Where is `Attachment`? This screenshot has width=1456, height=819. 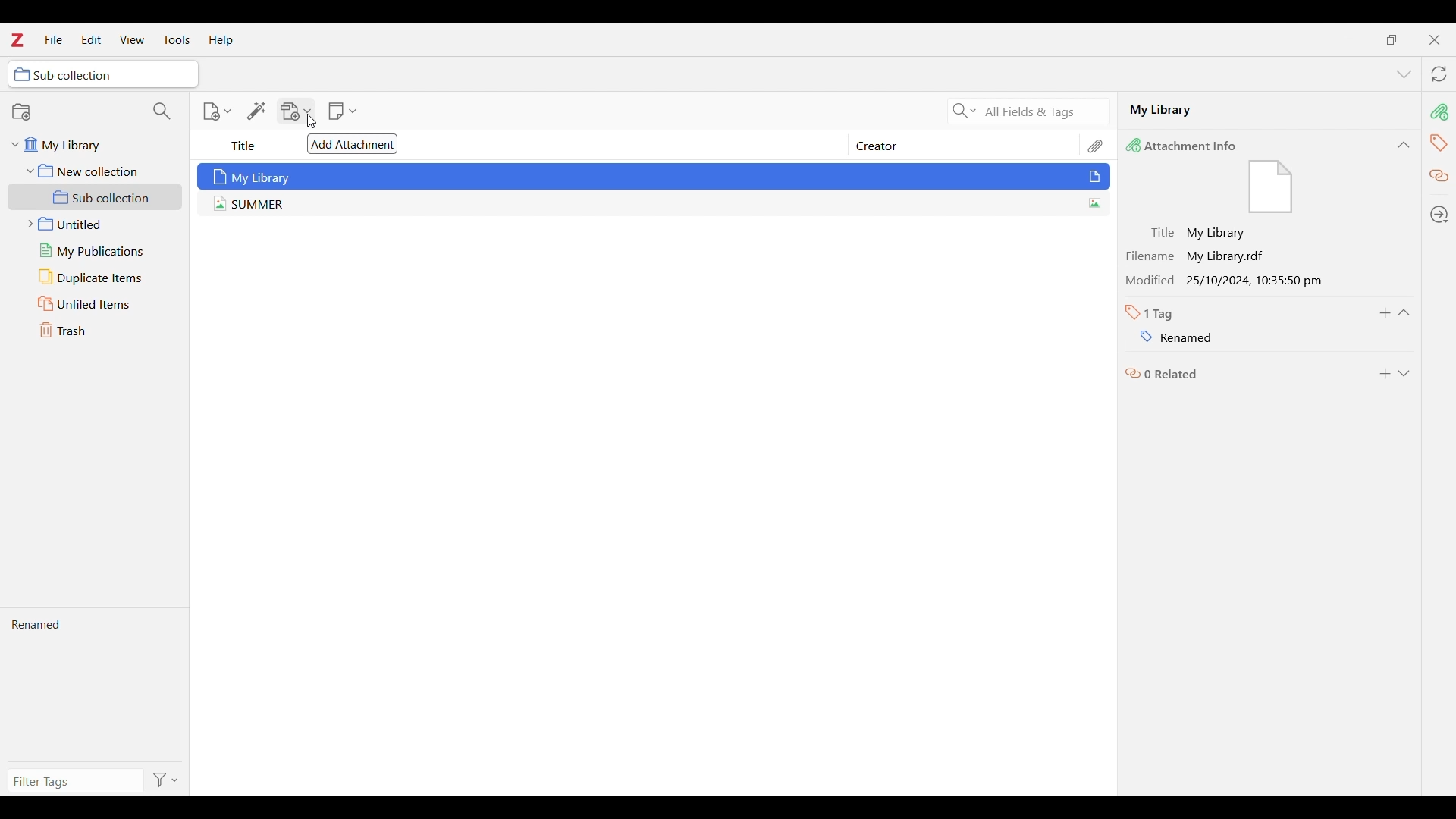 Attachment is located at coordinates (1097, 145).